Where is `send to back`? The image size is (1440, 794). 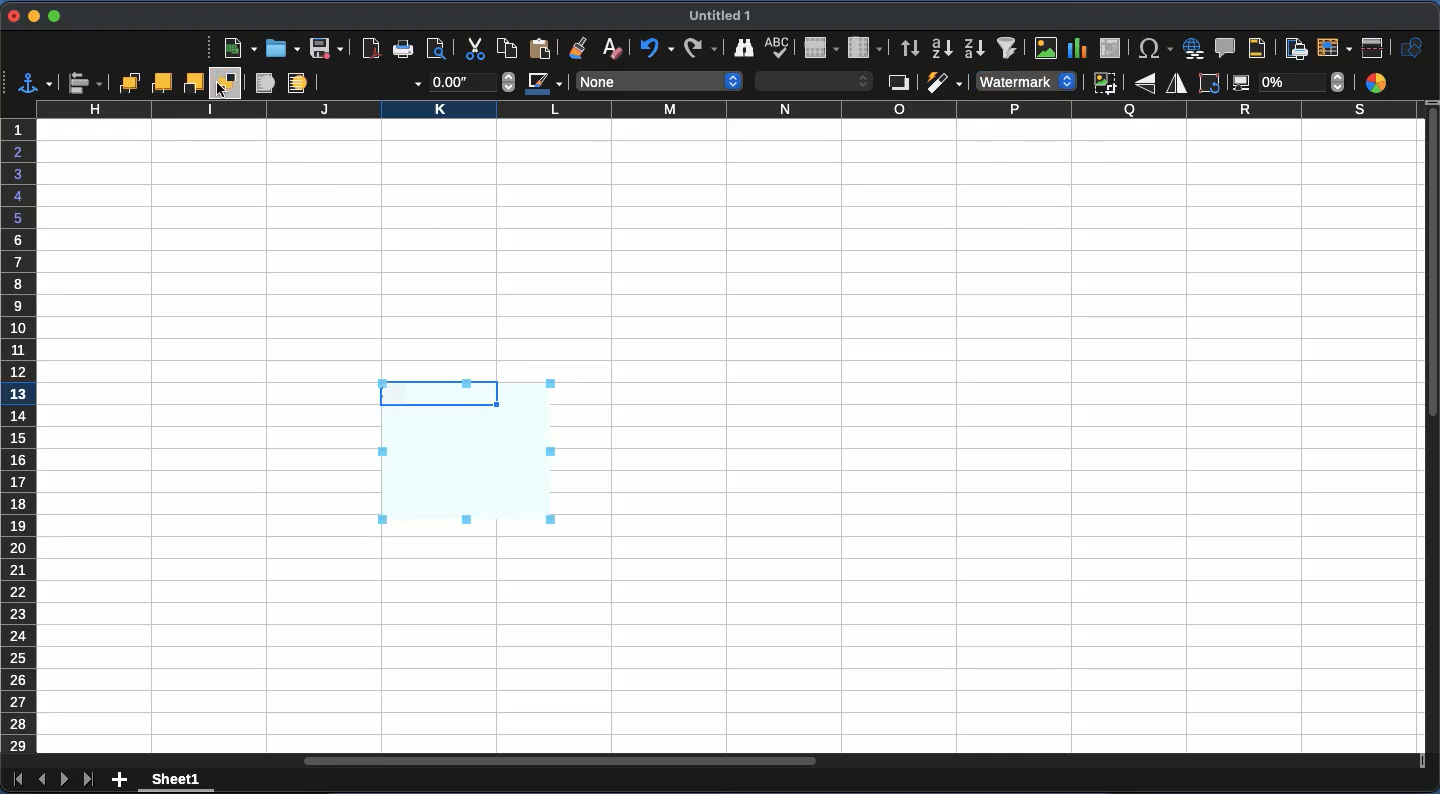
send to back is located at coordinates (228, 83).